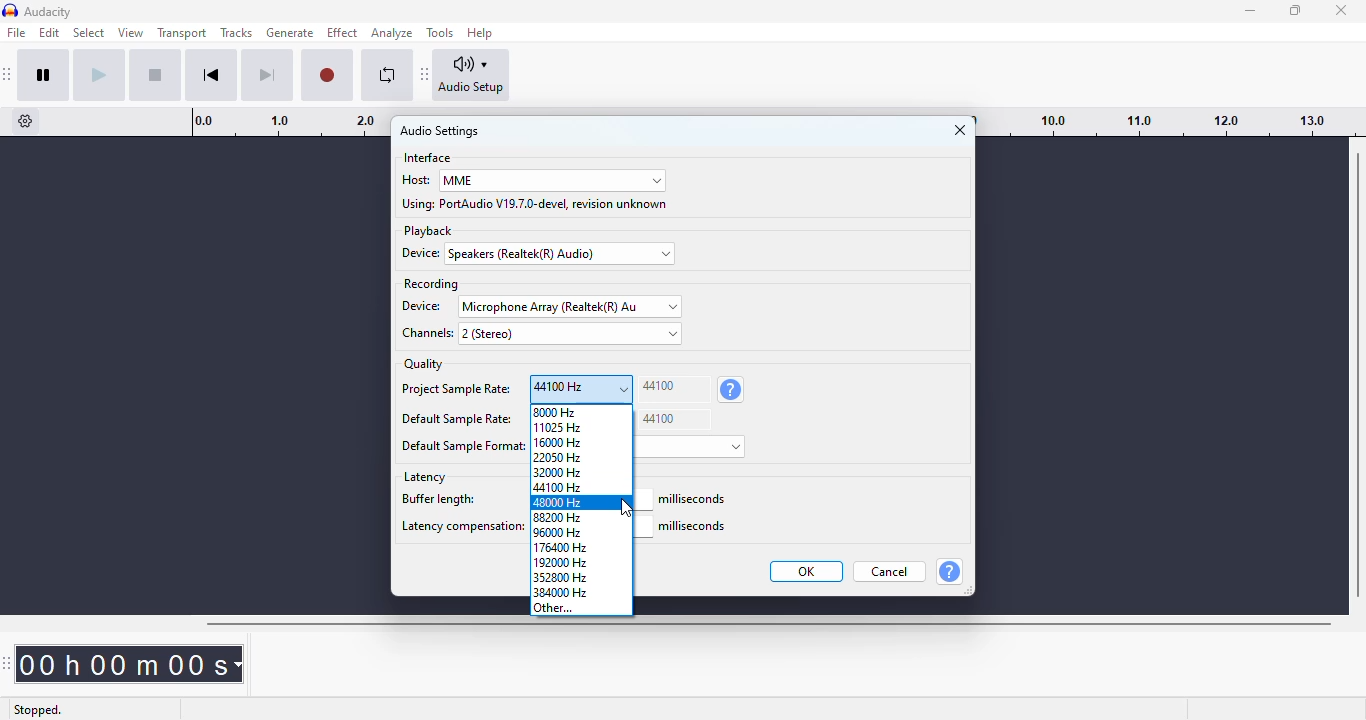 This screenshot has width=1366, height=720. Describe the element at coordinates (455, 391) in the screenshot. I see `project sample rate` at that location.